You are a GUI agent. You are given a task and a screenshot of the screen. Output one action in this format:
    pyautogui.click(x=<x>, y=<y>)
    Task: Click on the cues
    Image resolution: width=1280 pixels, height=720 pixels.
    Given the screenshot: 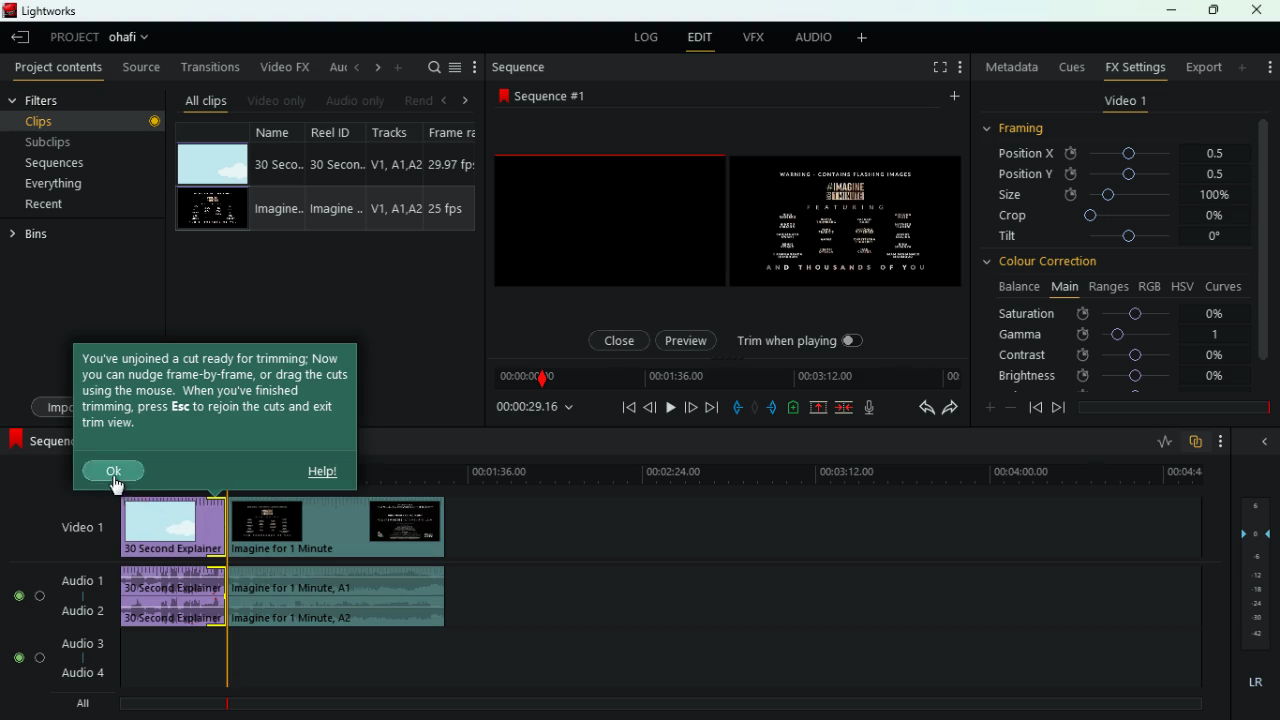 What is the action you would take?
    pyautogui.click(x=1073, y=67)
    